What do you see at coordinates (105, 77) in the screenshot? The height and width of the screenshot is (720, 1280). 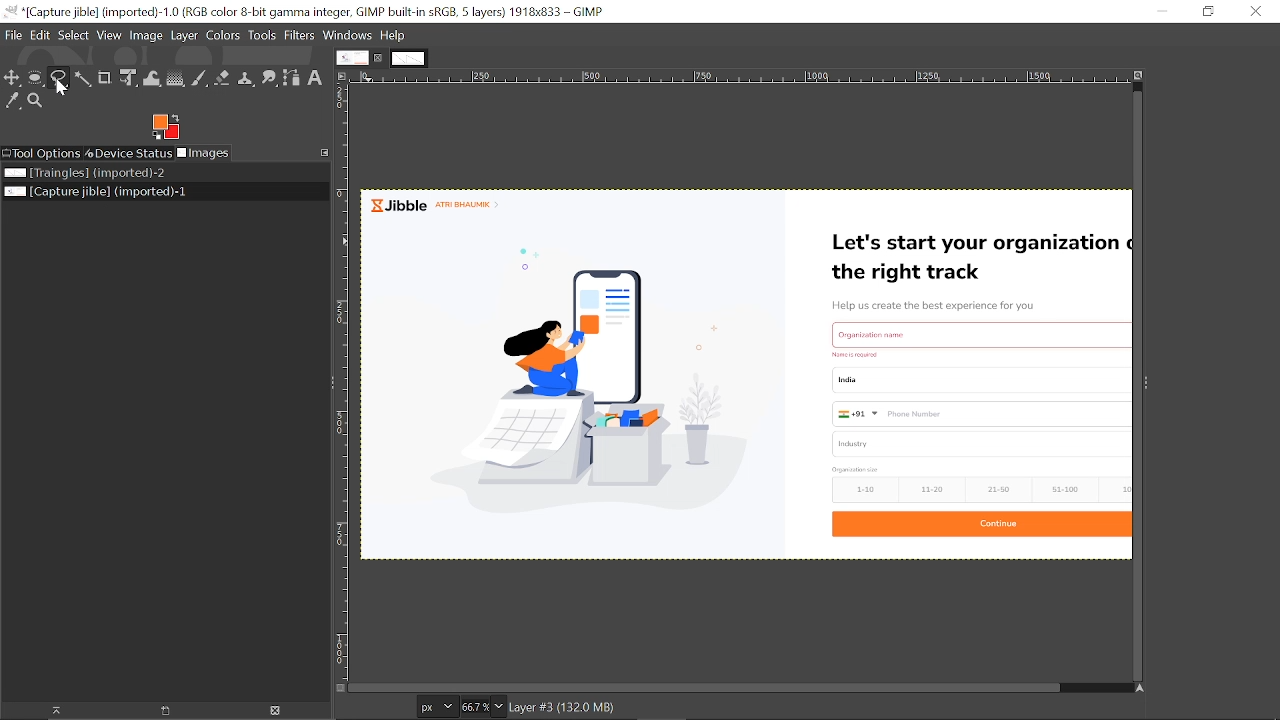 I see `Crop tool` at bounding box center [105, 77].